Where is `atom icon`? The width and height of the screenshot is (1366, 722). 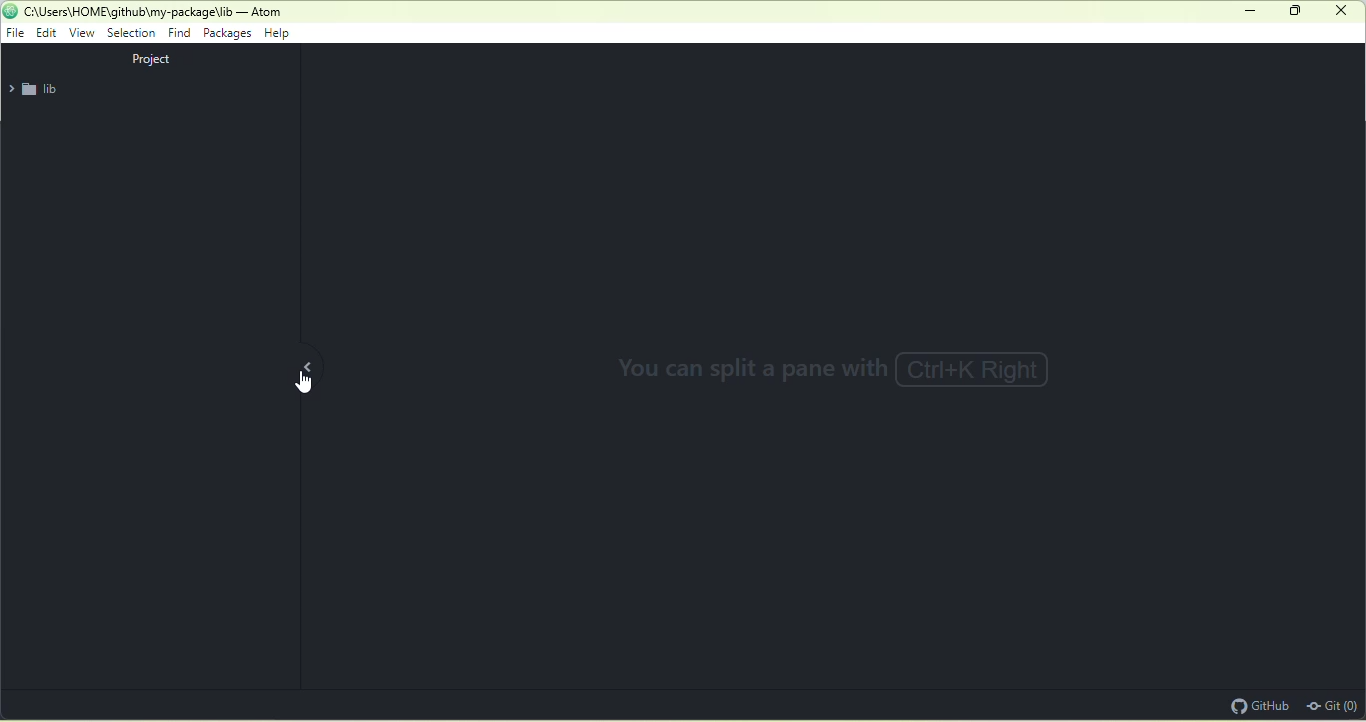
atom icon is located at coordinates (10, 10).